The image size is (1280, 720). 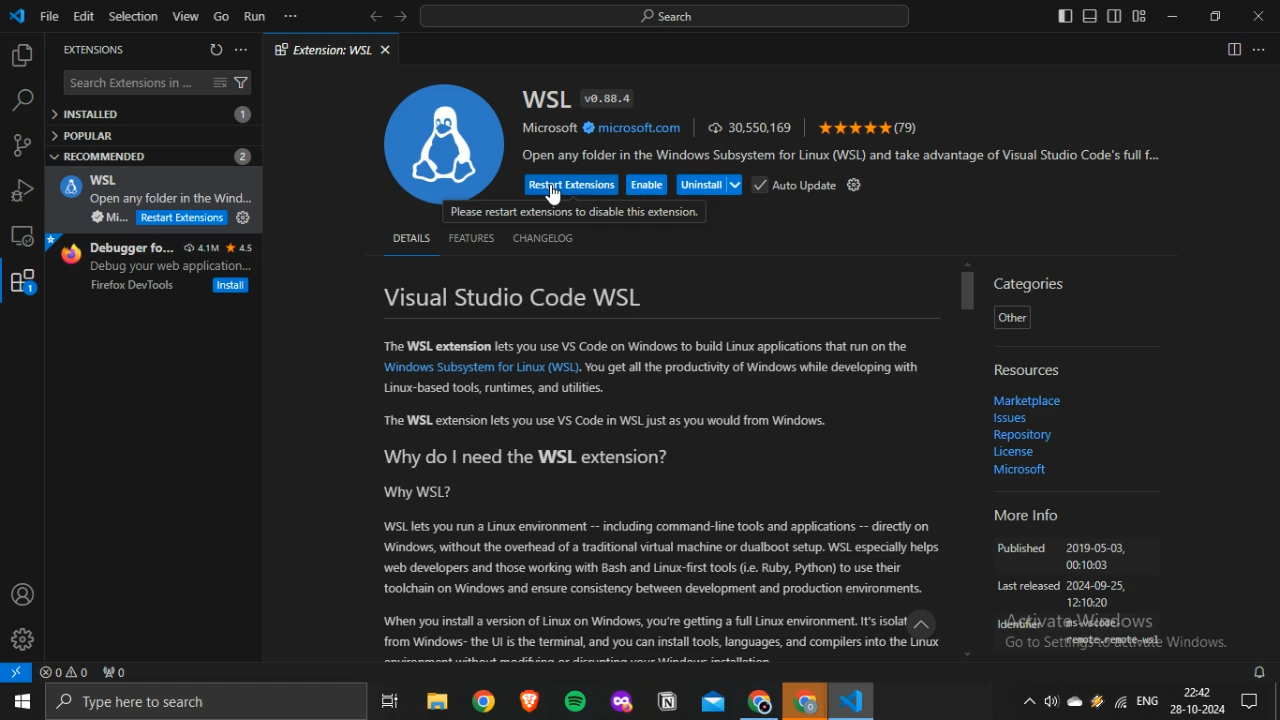 What do you see at coordinates (18, 17) in the screenshot?
I see `vscode icon` at bounding box center [18, 17].